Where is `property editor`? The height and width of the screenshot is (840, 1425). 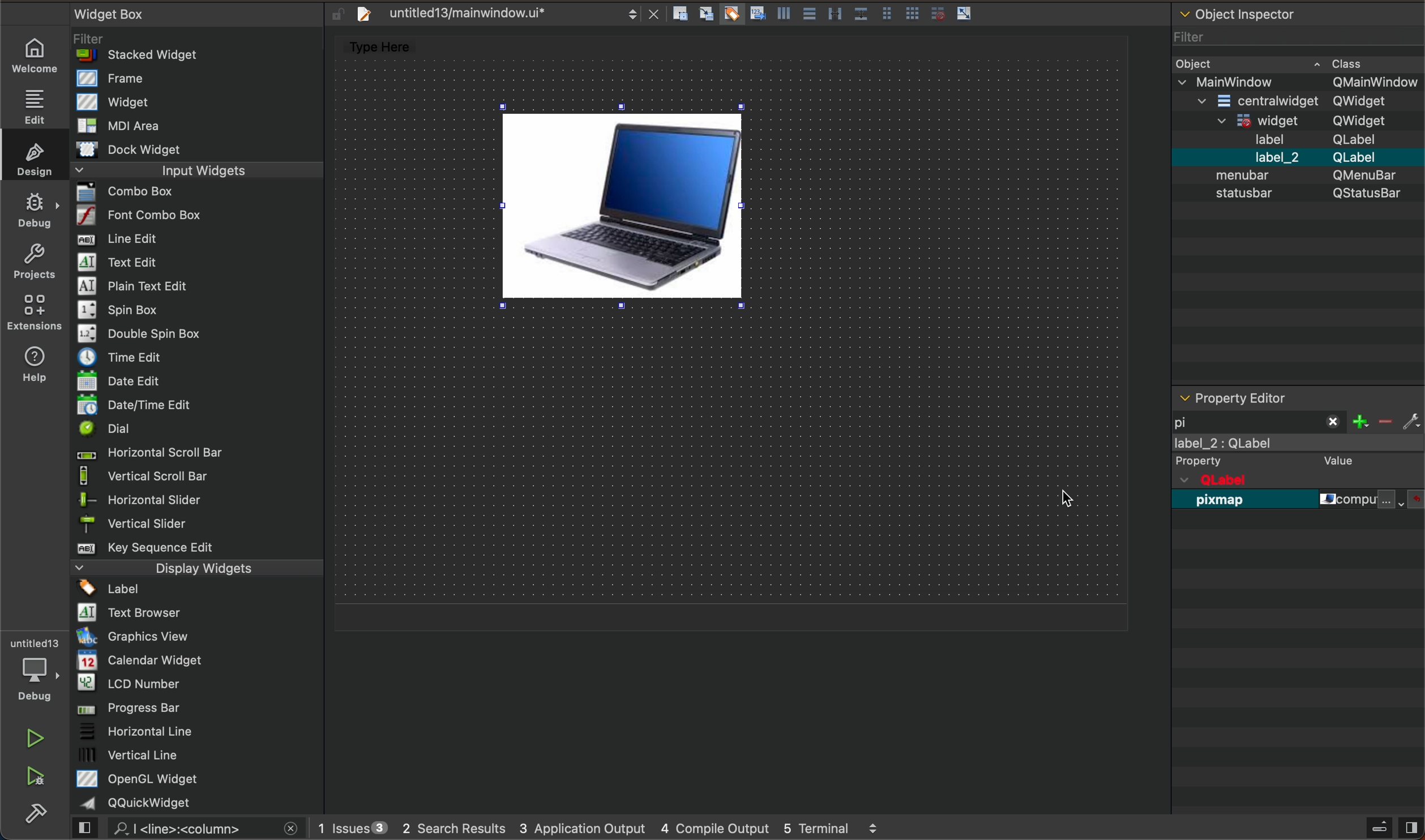 property editor is located at coordinates (1276, 397).